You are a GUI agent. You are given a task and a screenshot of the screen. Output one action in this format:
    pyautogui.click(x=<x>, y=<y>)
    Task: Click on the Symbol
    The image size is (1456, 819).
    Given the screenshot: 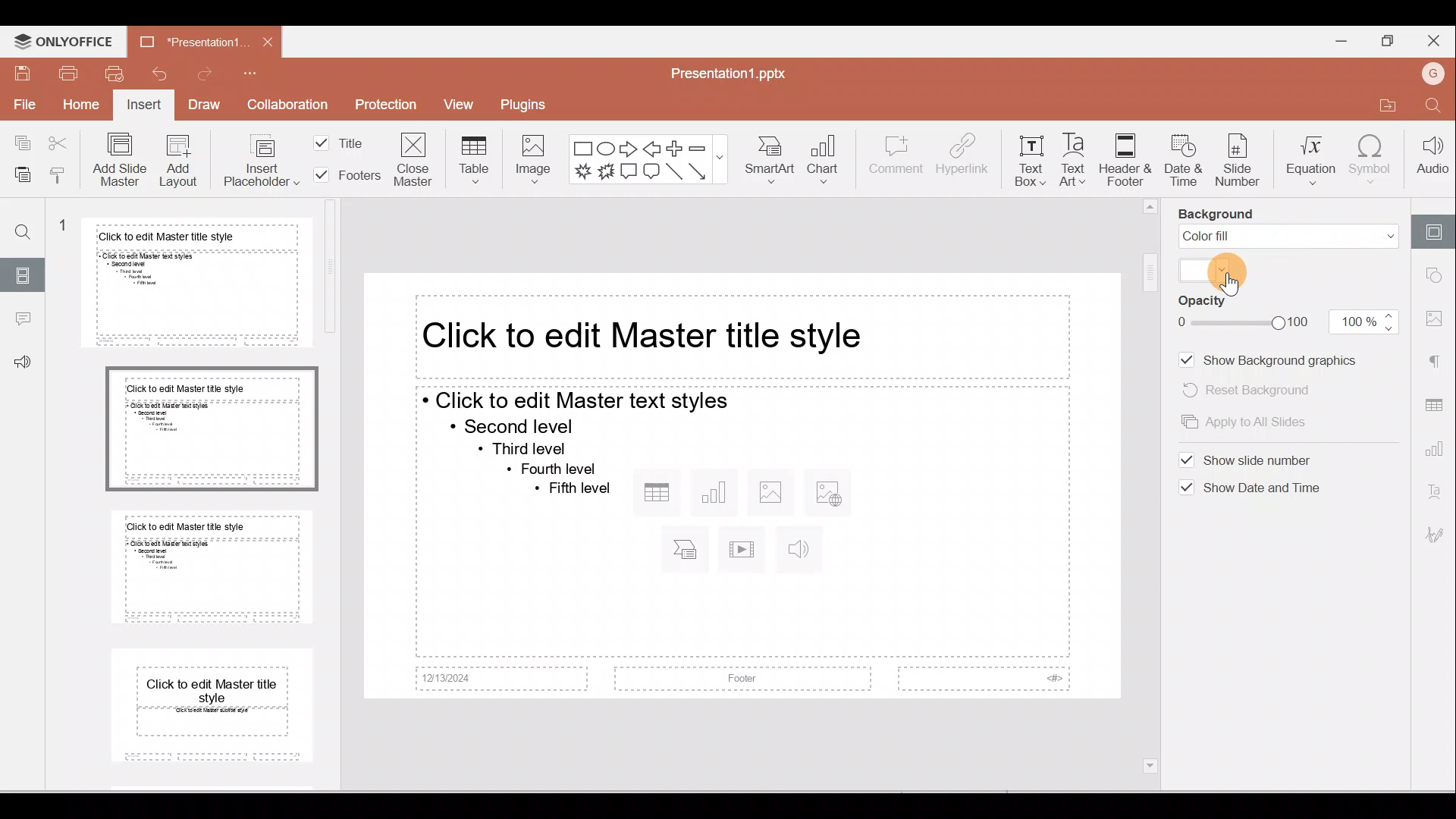 What is the action you would take?
    pyautogui.click(x=1373, y=162)
    